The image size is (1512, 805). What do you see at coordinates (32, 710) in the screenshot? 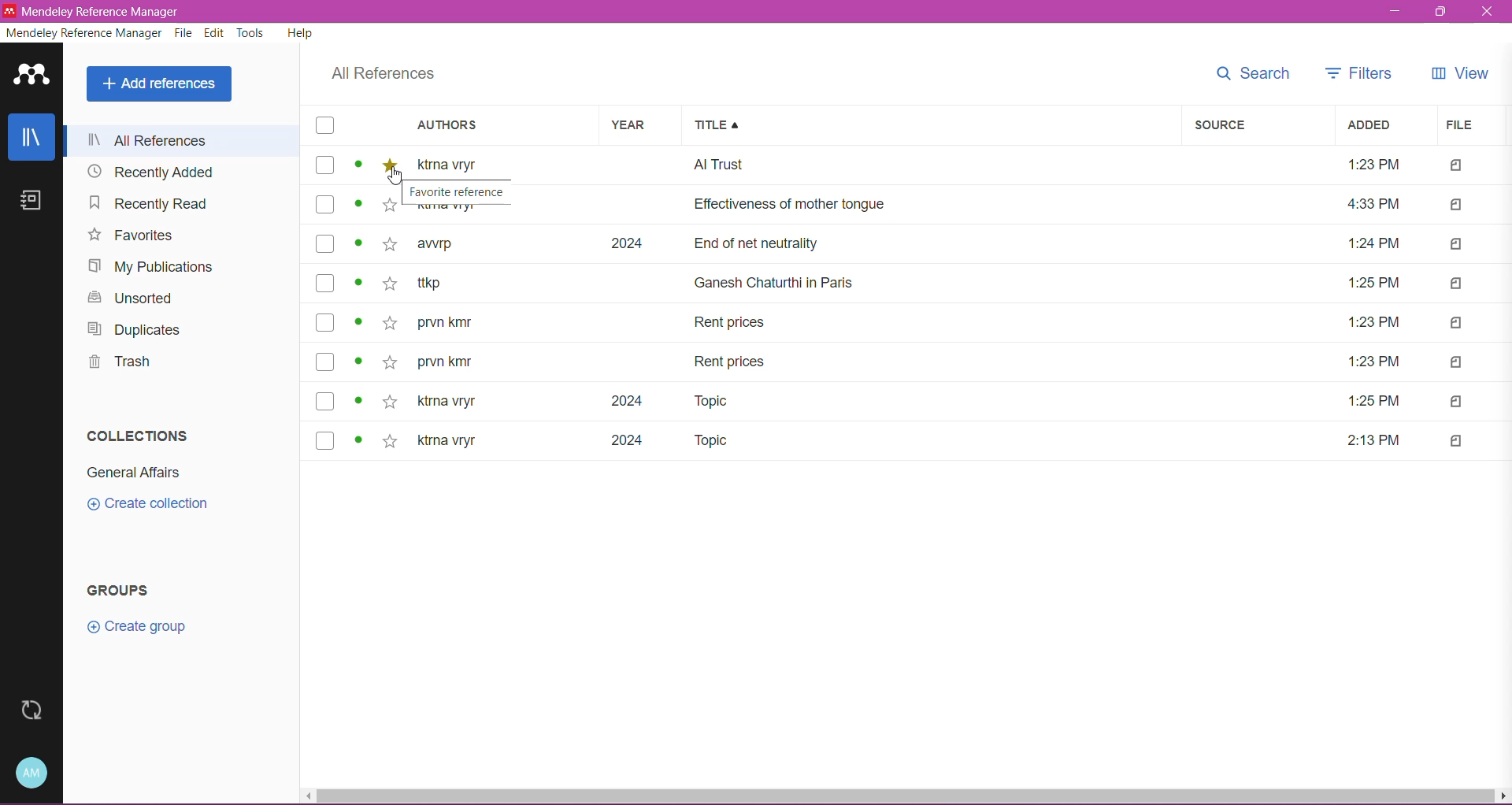
I see `Last Sync` at bounding box center [32, 710].